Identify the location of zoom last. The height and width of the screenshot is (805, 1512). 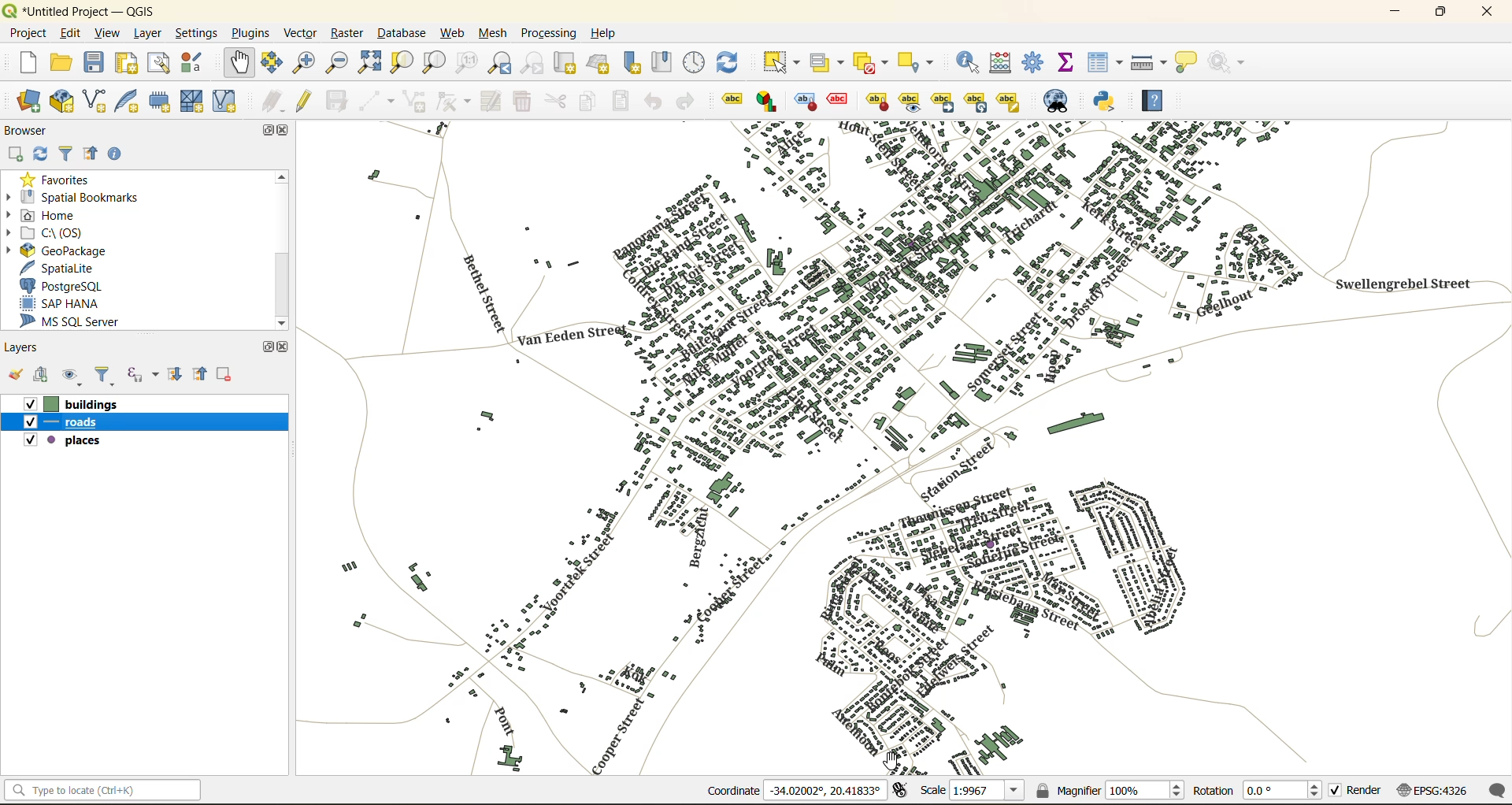
(500, 61).